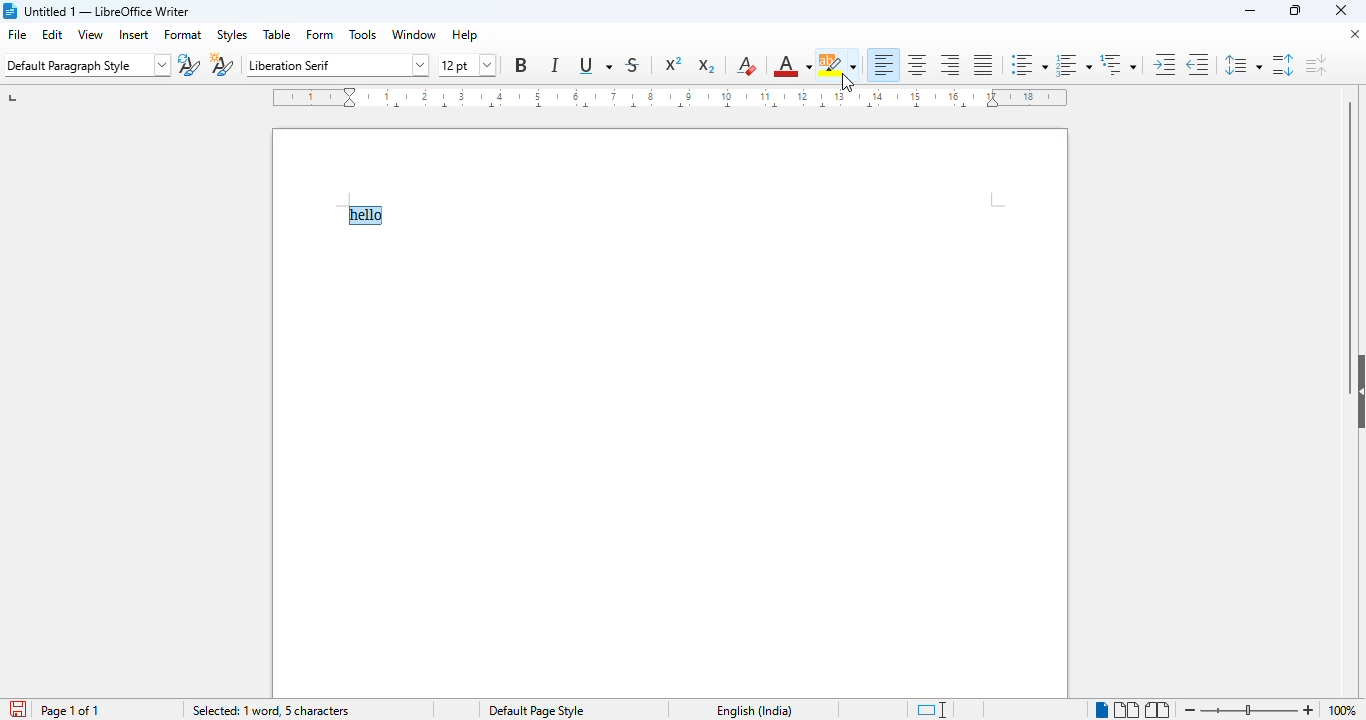 Image resolution: width=1366 pixels, height=720 pixels. What do you see at coordinates (884, 64) in the screenshot?
I see `align left` at bounding box center [884, 64].